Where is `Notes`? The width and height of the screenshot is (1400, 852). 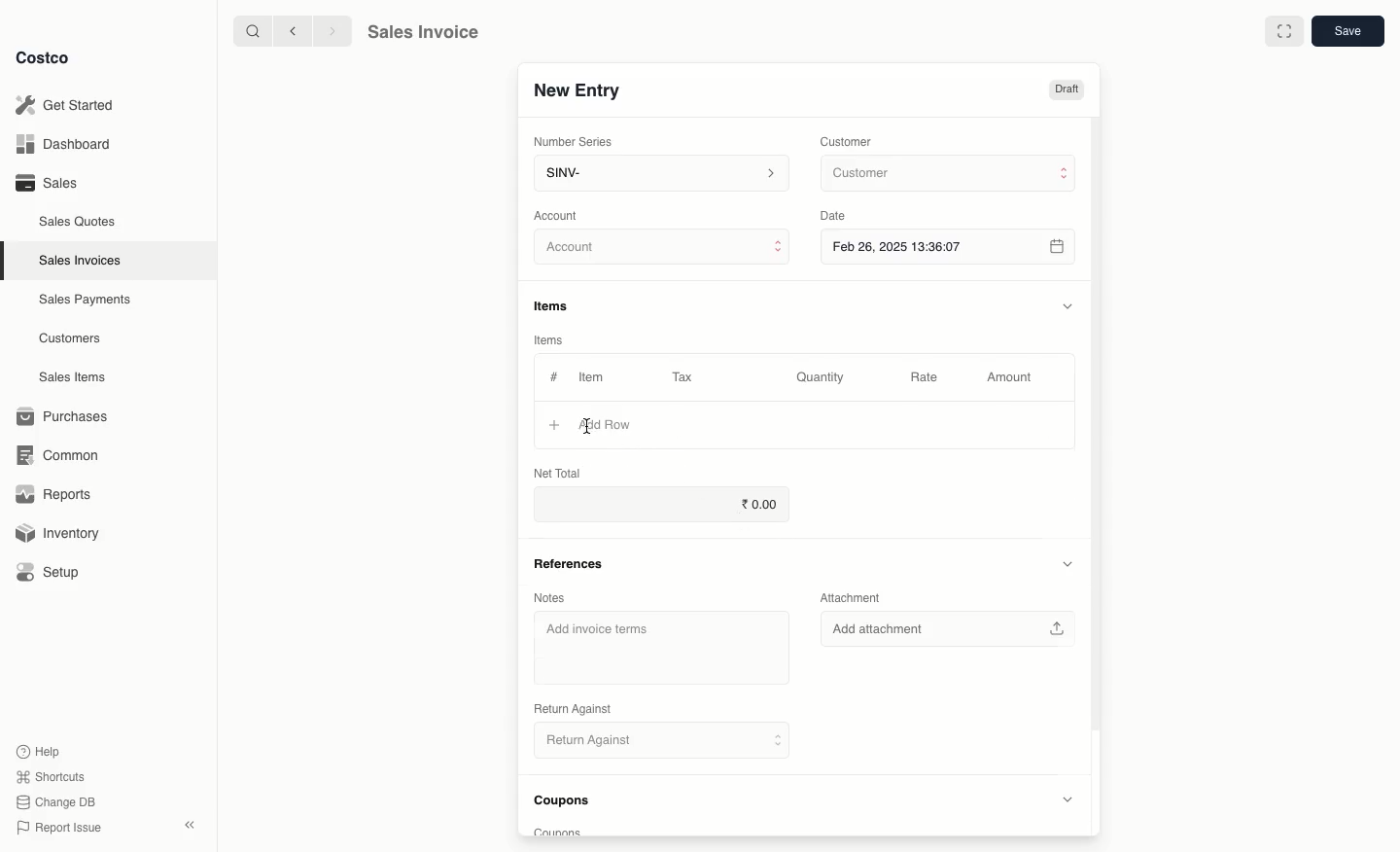 Notes is located at coordinates (548, 598).